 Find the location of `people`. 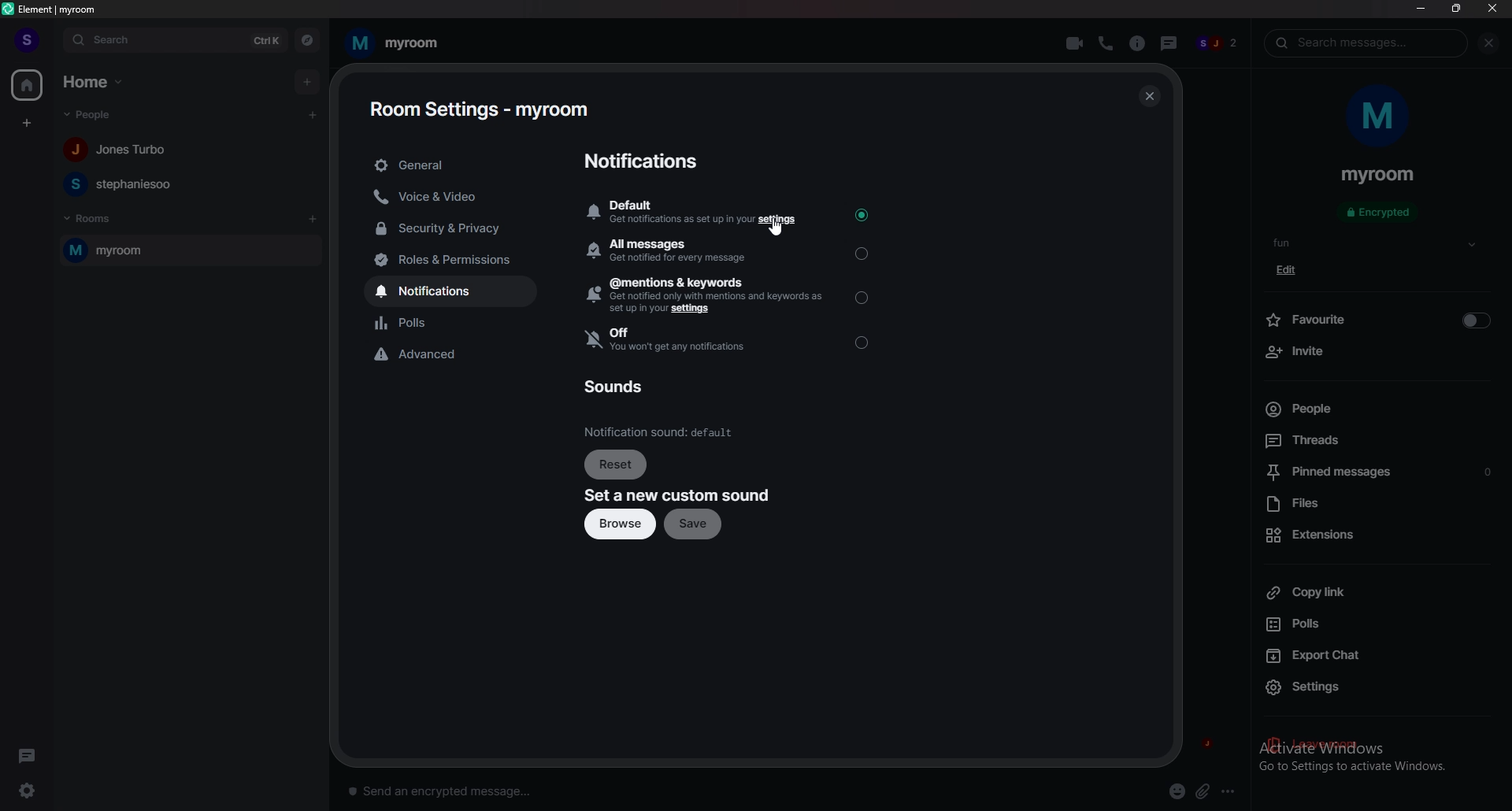

people is located at coordinates (95, 115).